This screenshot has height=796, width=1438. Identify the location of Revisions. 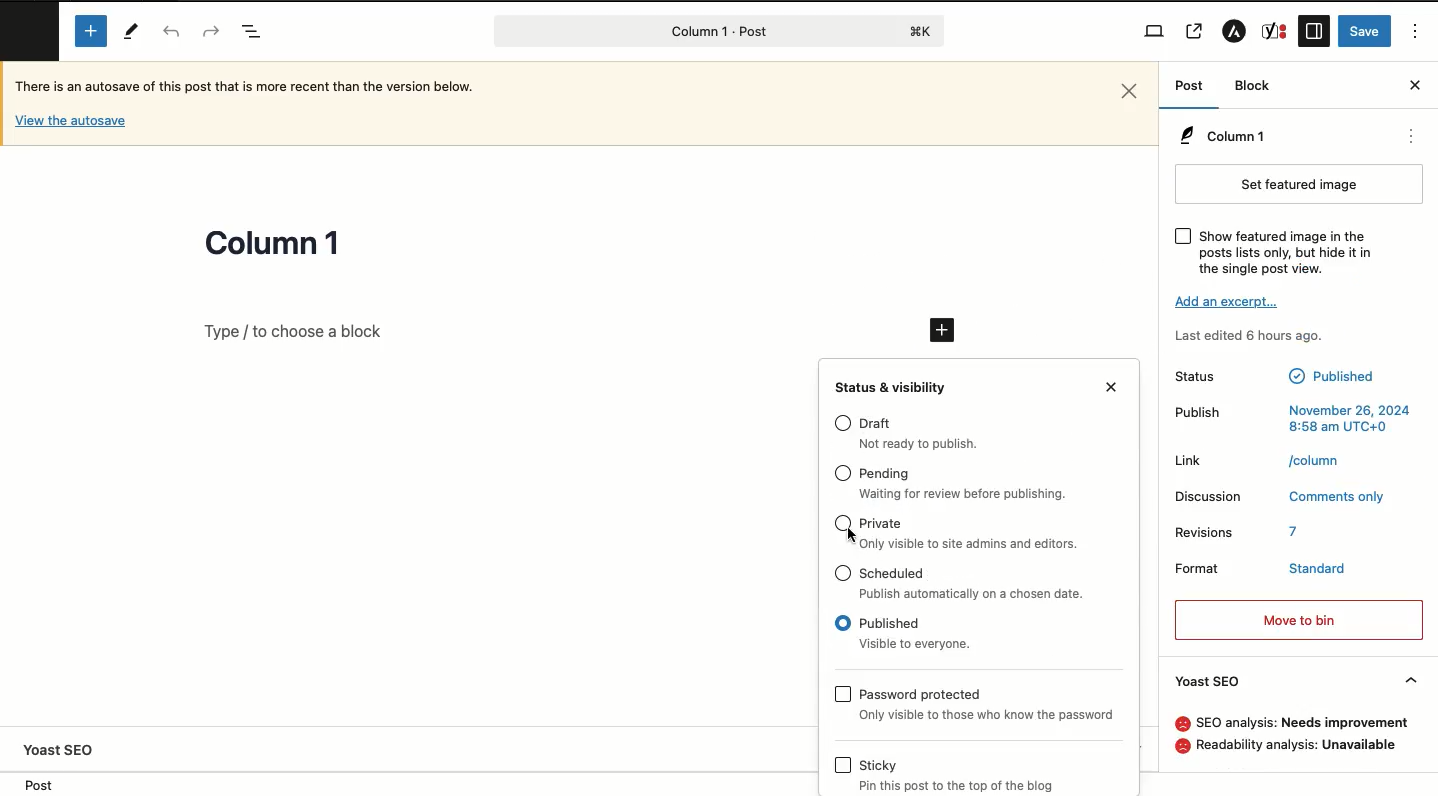
(1204, 532).